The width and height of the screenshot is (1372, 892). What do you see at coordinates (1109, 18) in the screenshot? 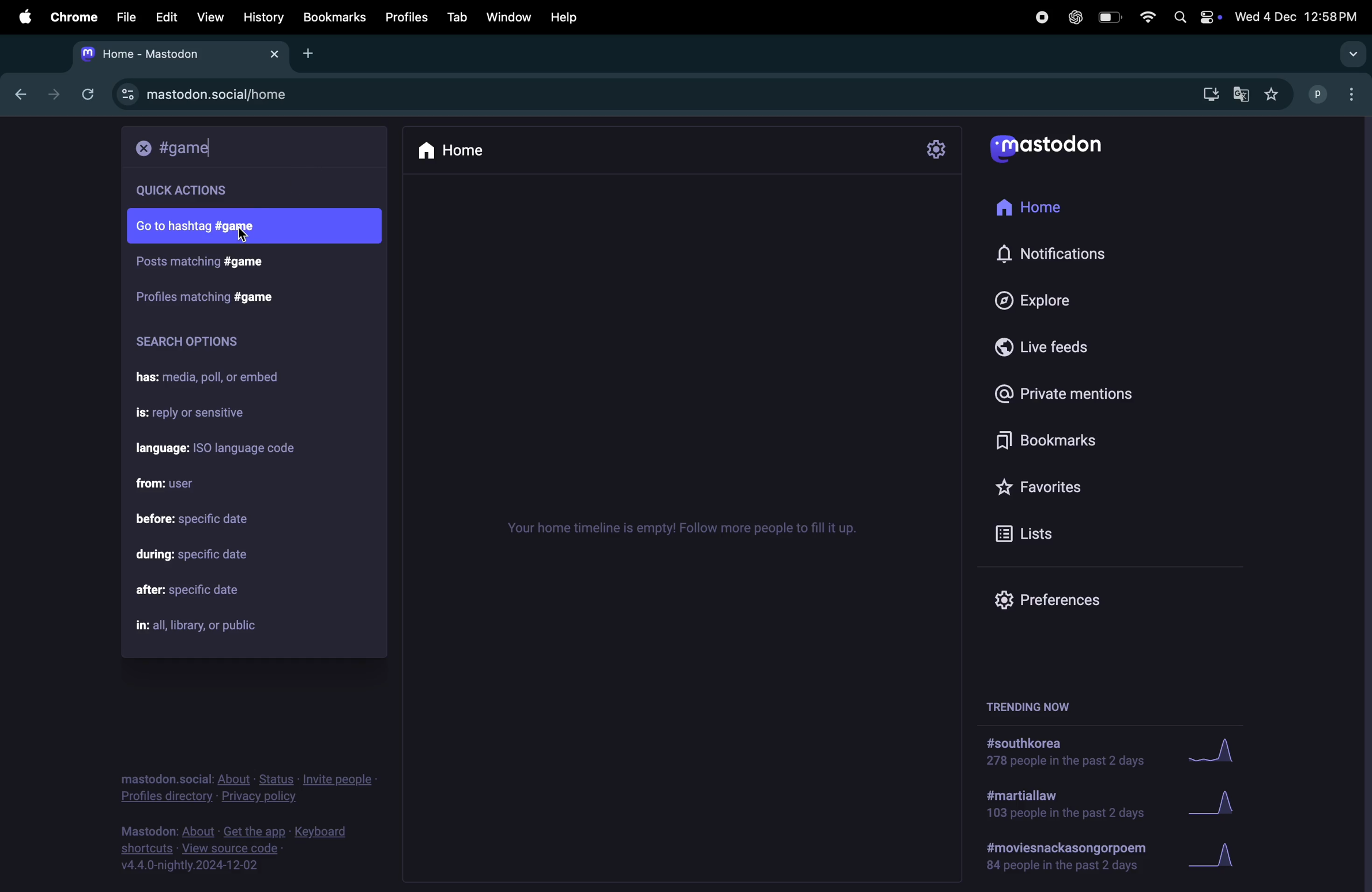
I see `battery` at bounding box center [1109, 18].